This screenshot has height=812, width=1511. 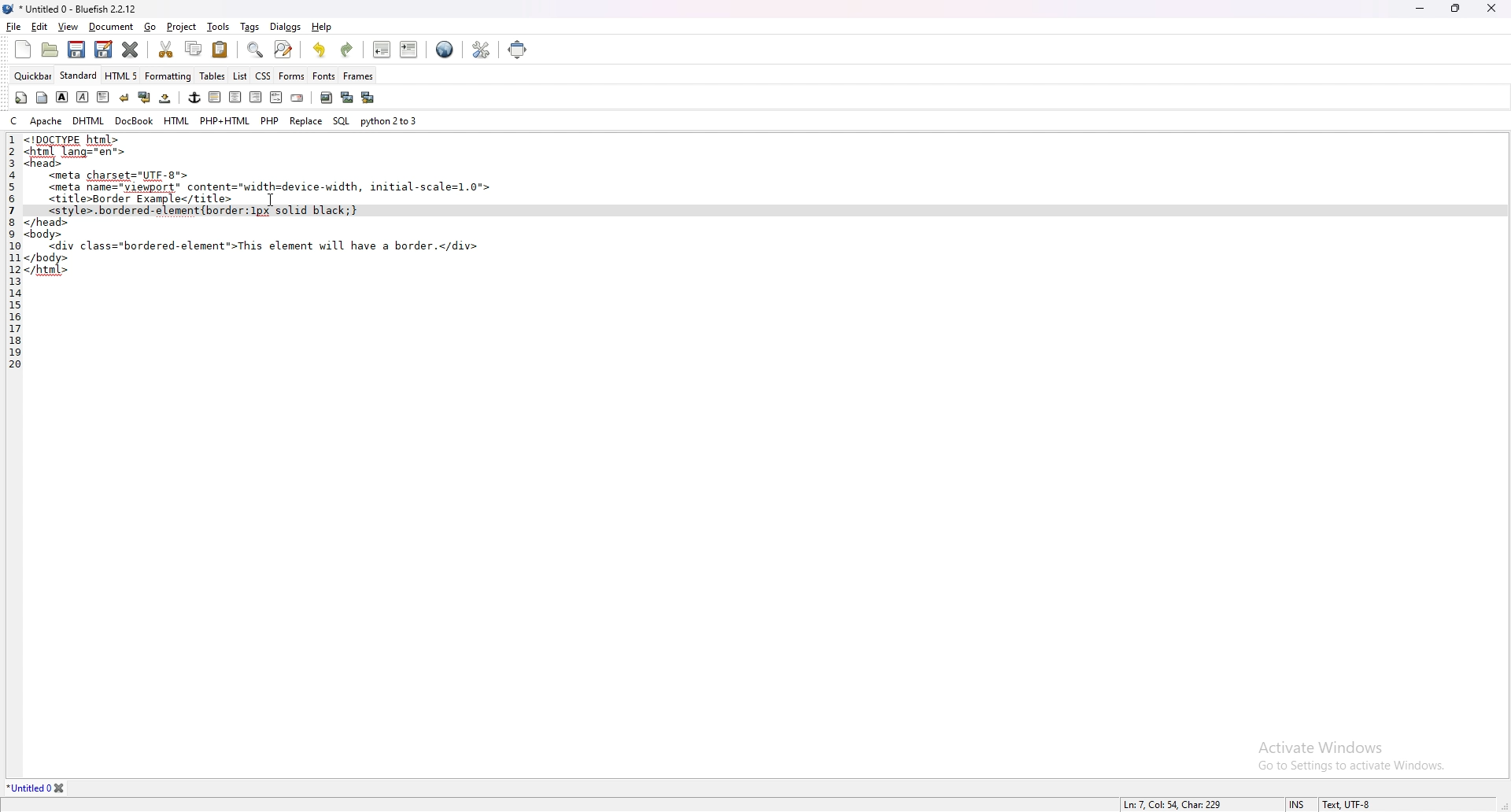 I want to click on Ln: 7, Col: 54, Char: 229, so click(x=1173, y=803).